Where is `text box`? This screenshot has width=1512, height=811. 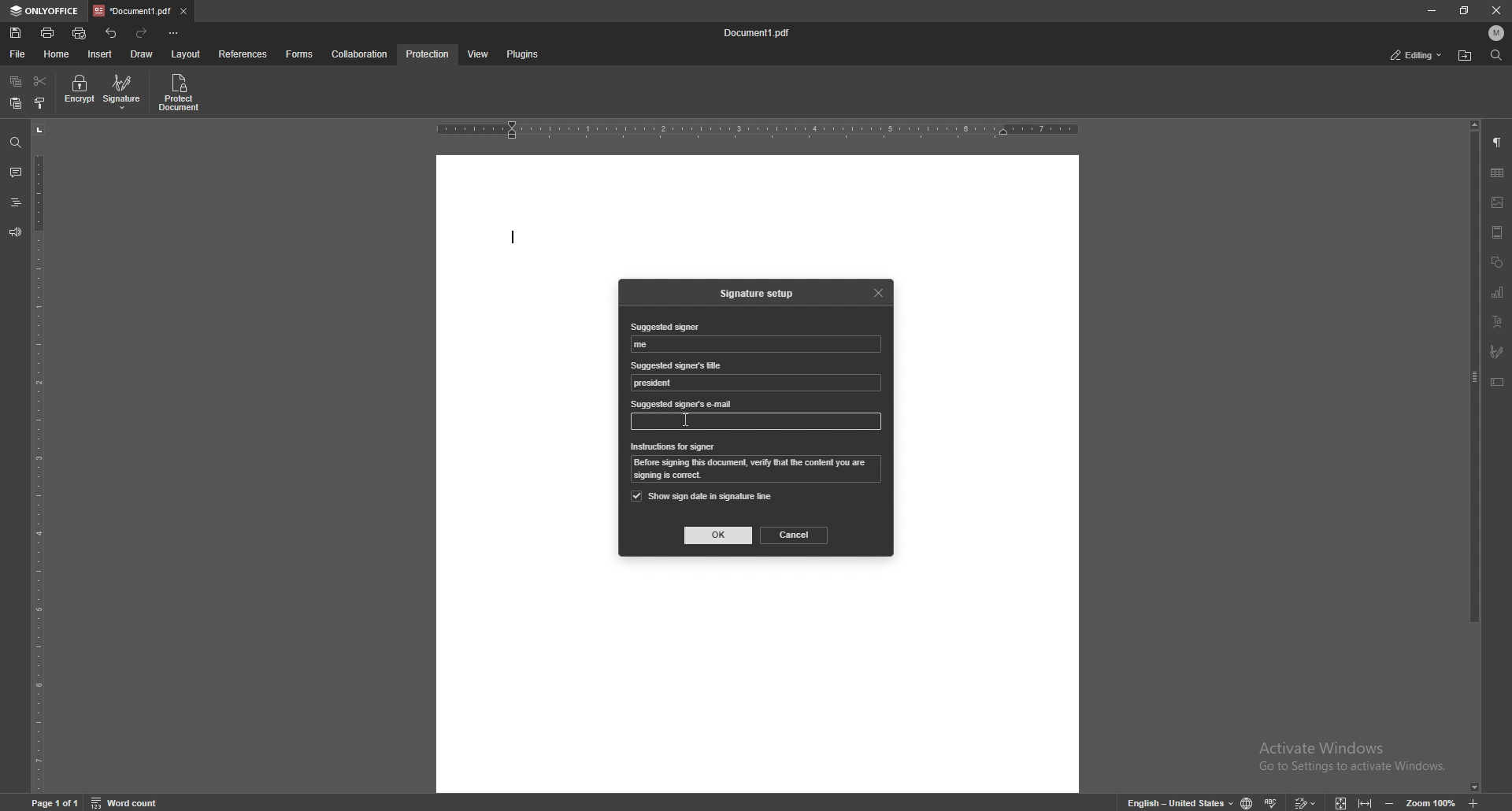
text box is located at coordinates (1497, 382).